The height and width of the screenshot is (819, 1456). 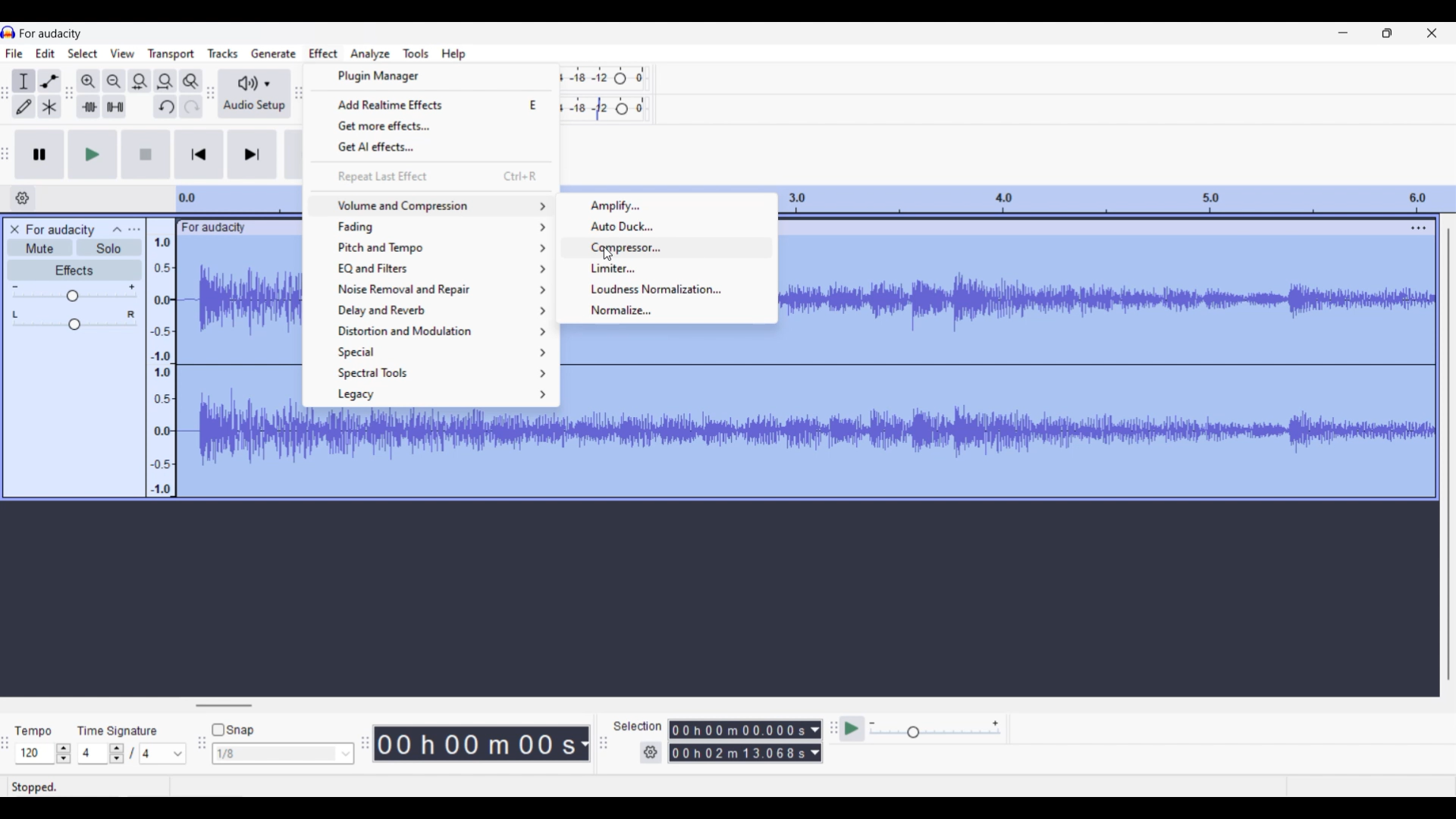 I want to click on Show in smaller tab, so click(x=1388, y=33).